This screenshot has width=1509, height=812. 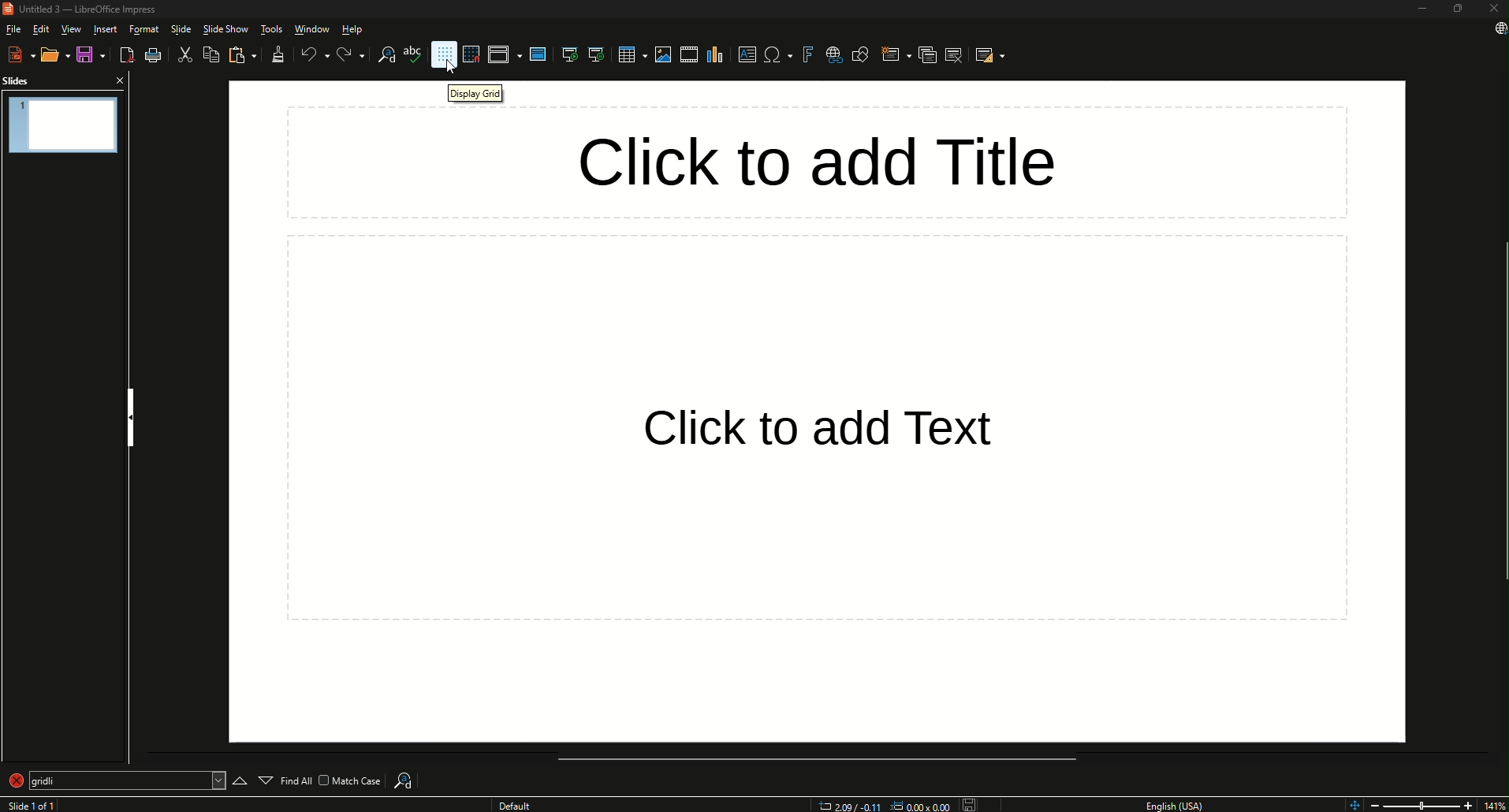 What do you see at coordinates (922, 54) in the screenshot?
I see `Duplicate slide` at bounding box center [922, 54].